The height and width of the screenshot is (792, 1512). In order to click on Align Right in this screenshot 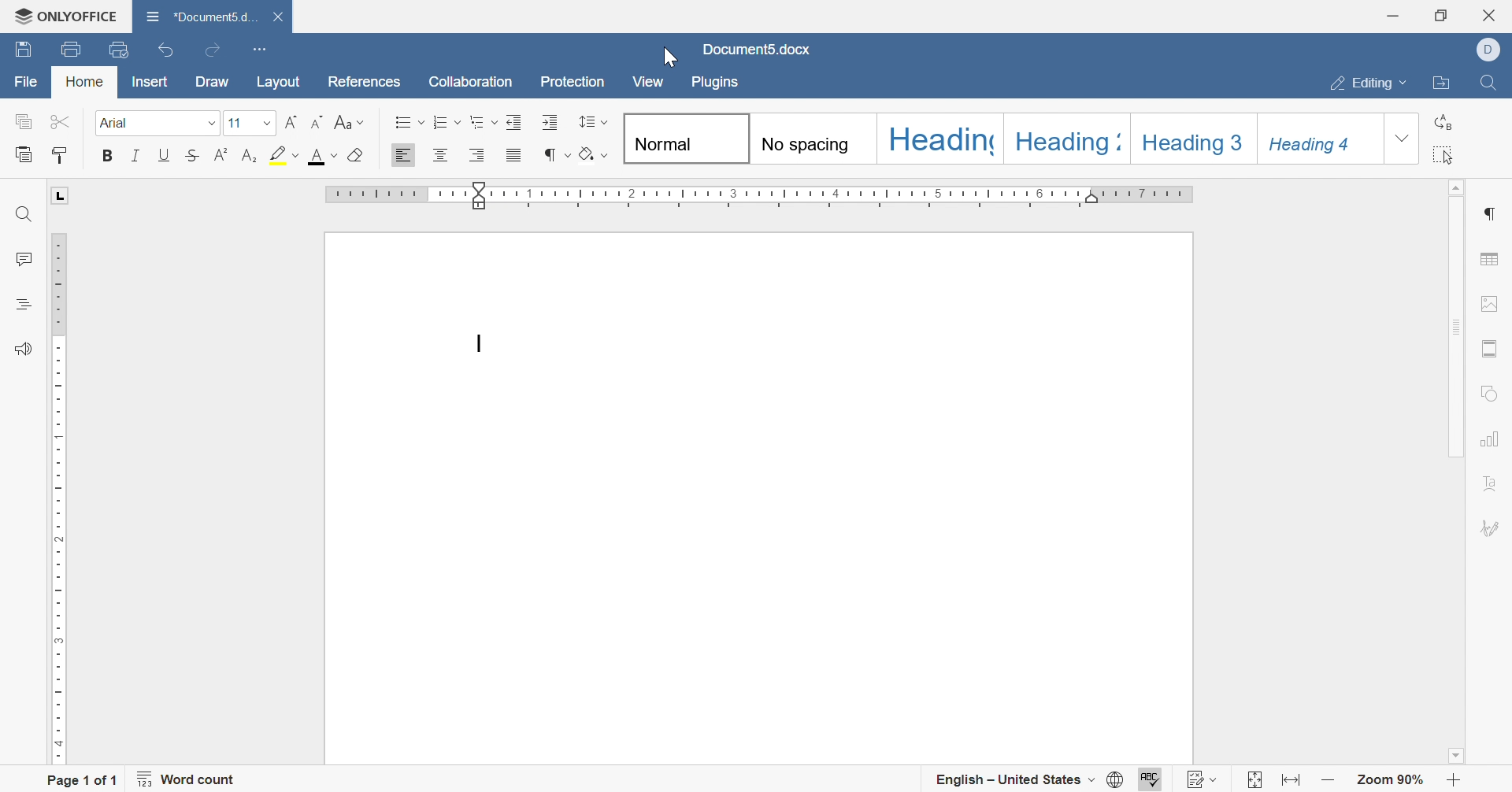, I will do `click(478, 155)`.